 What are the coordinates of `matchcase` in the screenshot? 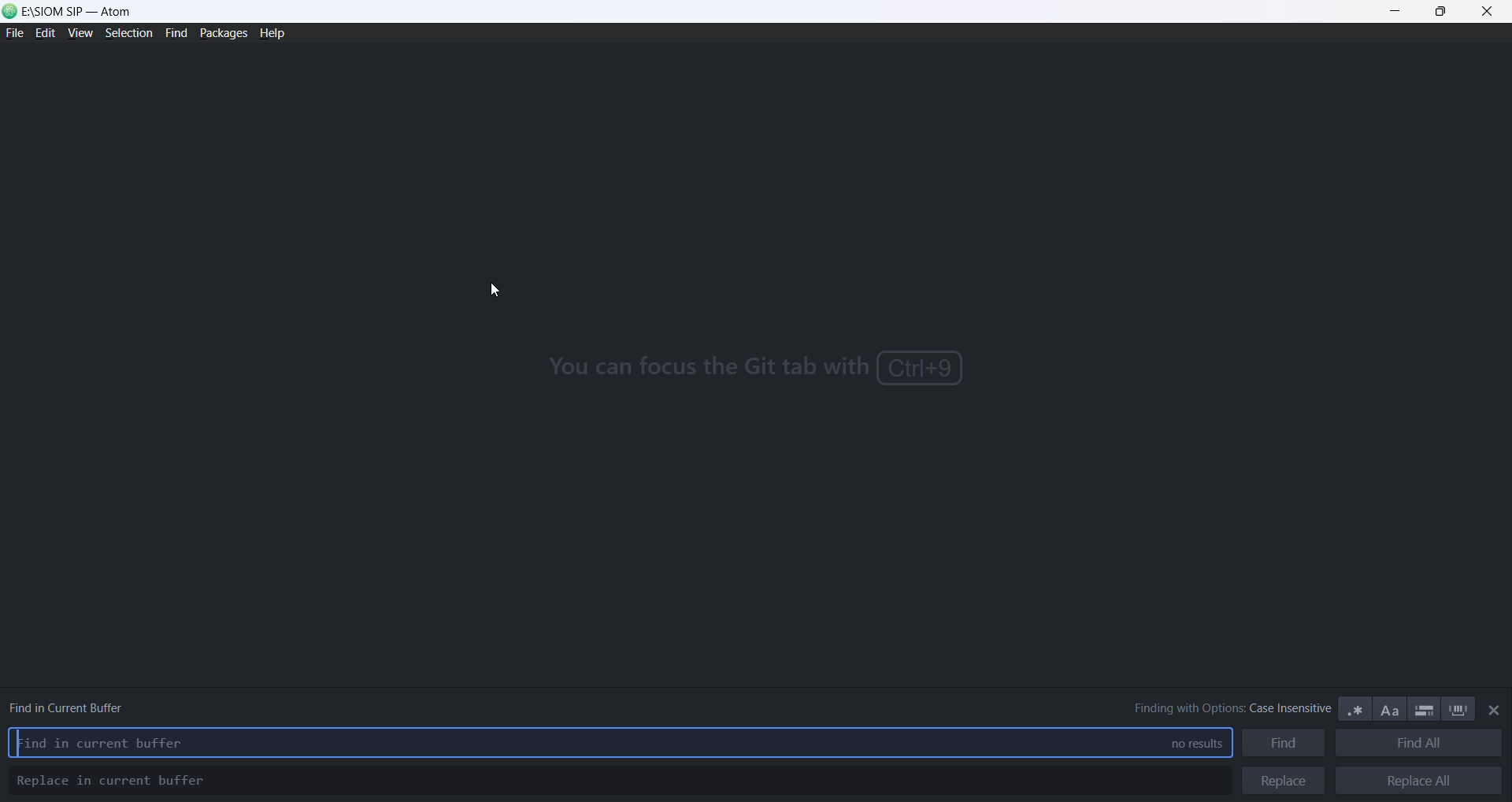 It's located at (1392, 711).